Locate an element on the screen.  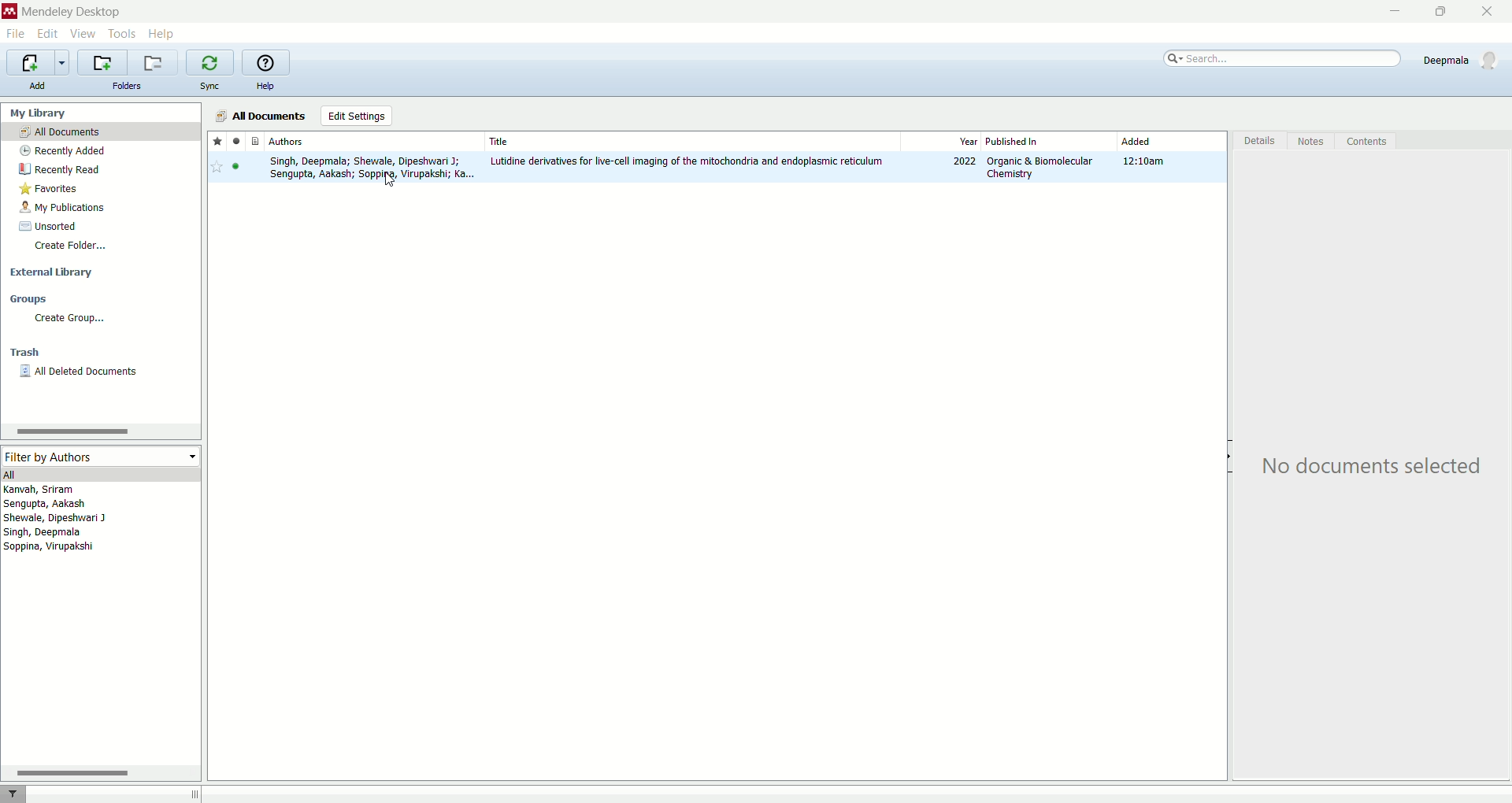
groups is located at coordinates (98, 299).